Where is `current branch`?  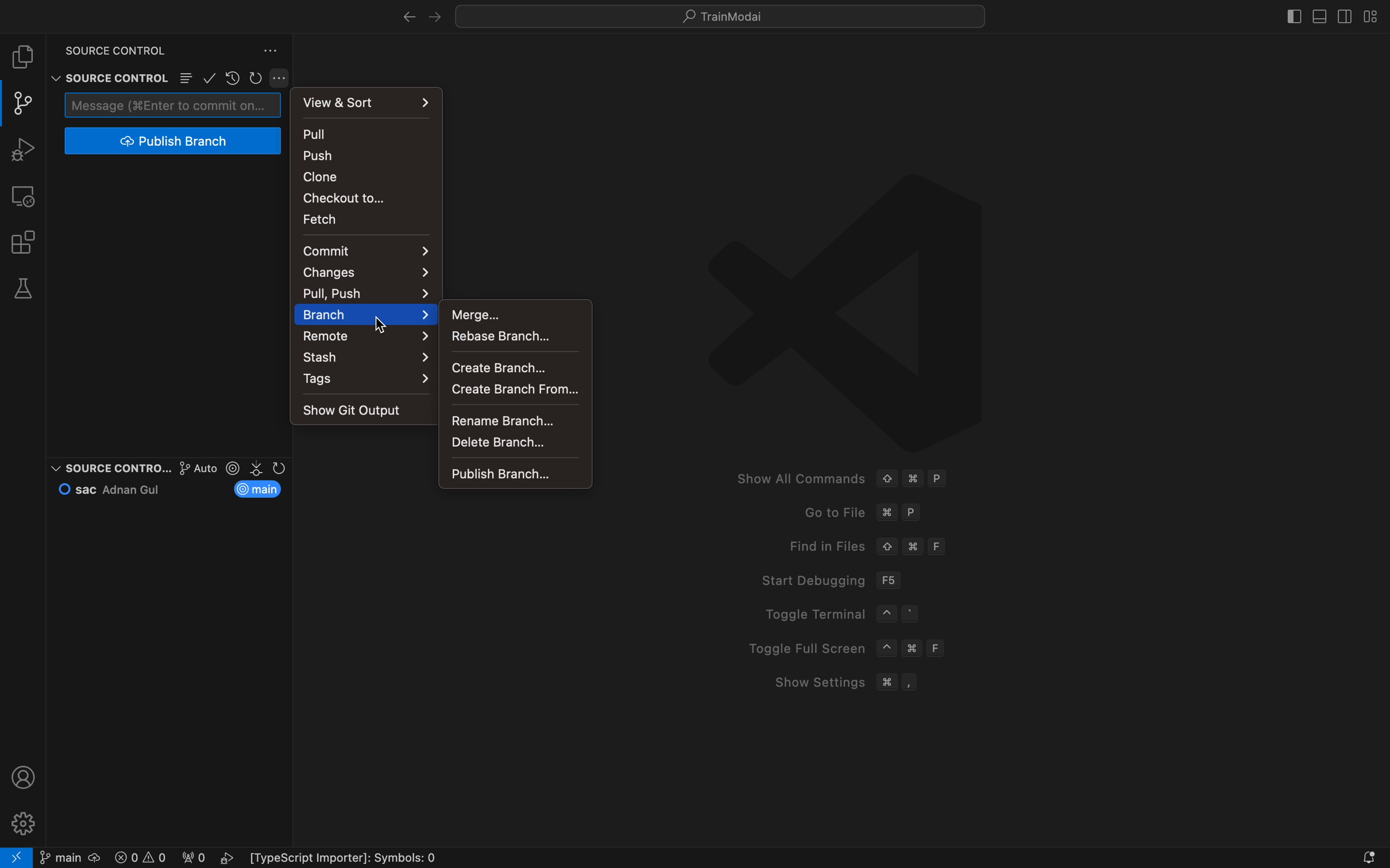 current branch is located at coordinates (261, 489).